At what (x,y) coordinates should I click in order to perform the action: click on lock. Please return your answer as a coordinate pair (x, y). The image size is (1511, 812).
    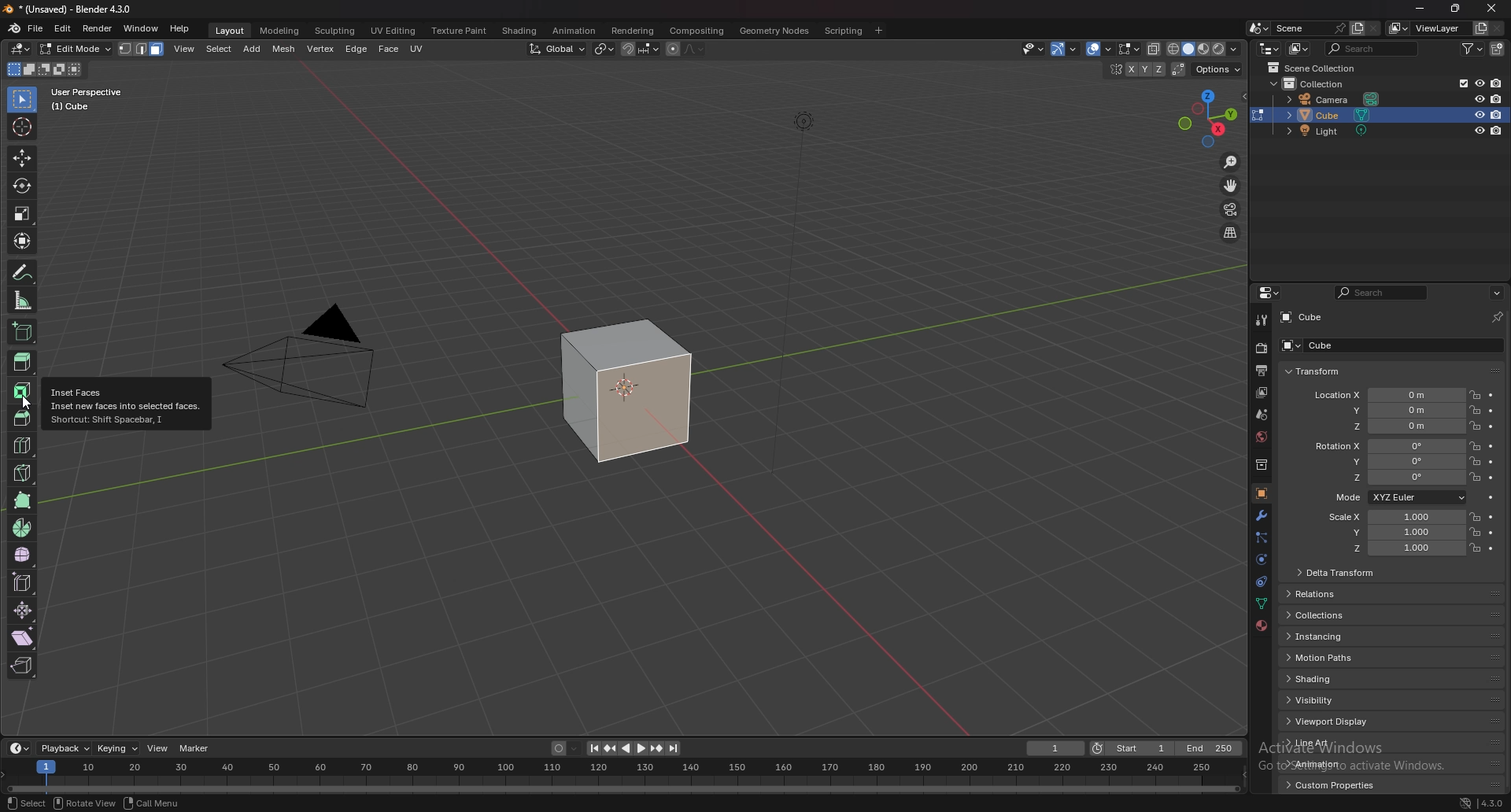
    Looking at the image, I should click on (1475, 461).